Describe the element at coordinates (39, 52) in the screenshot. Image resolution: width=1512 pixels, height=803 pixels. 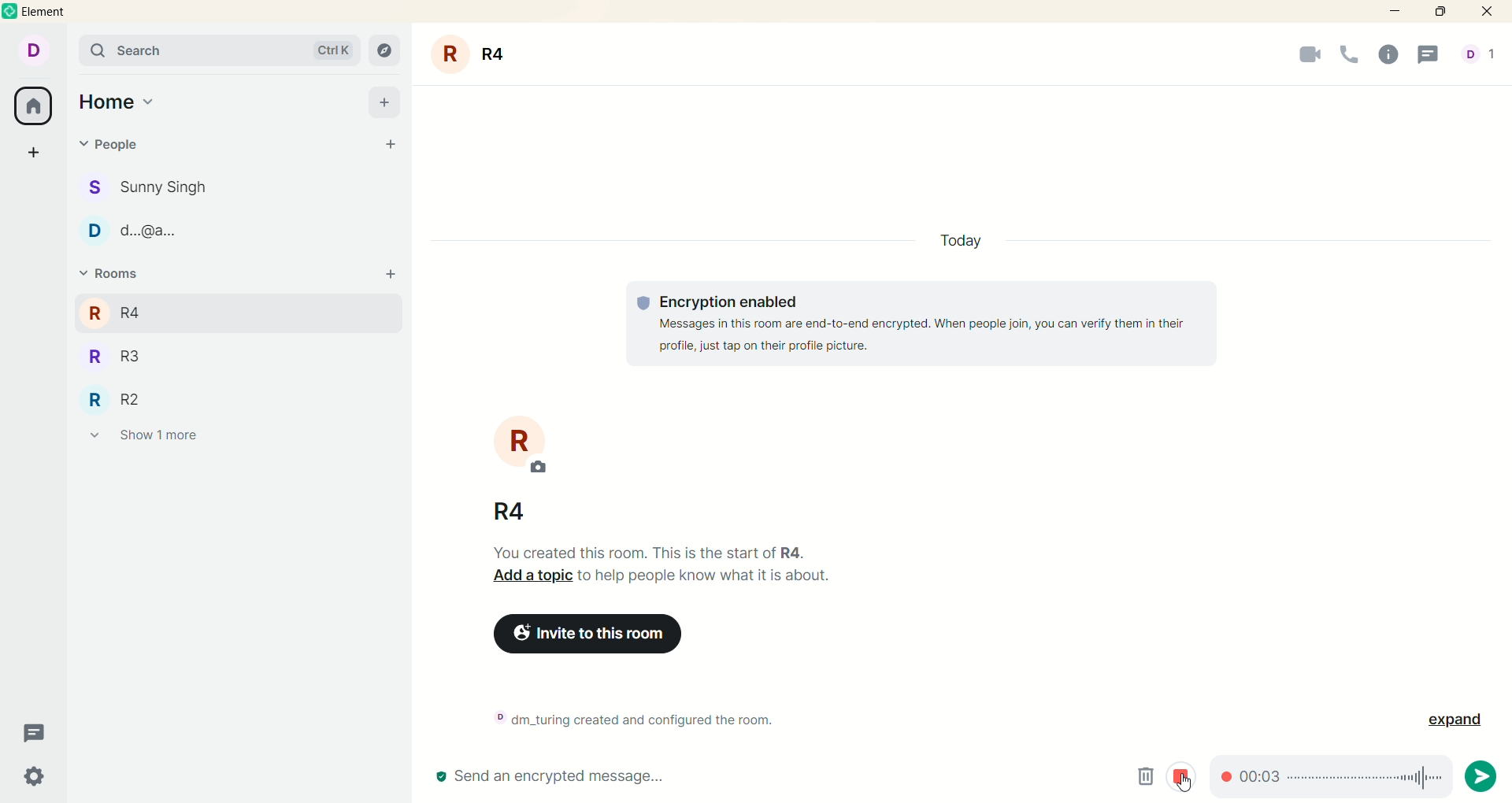
I see `account` at that location.